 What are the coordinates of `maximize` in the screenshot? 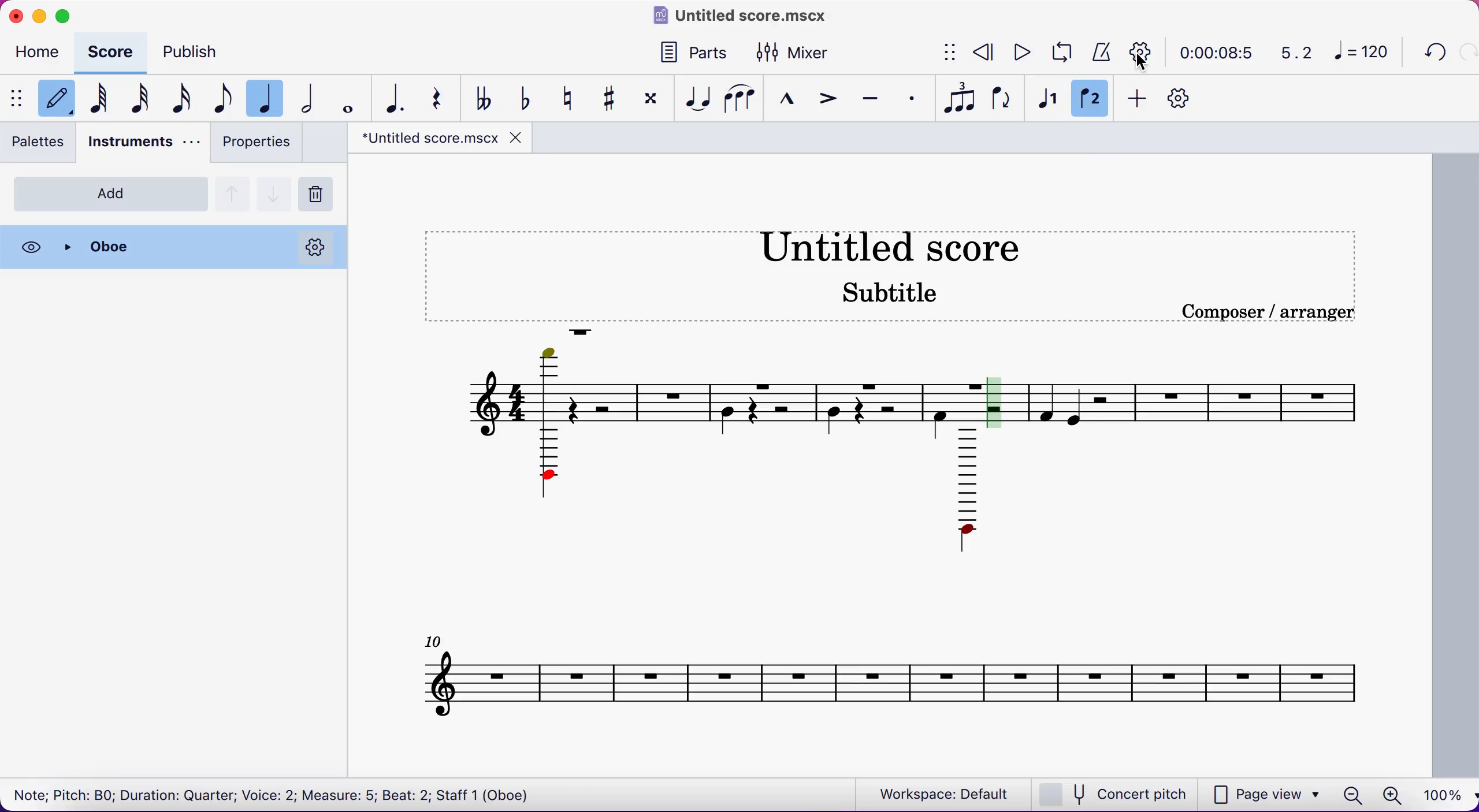 It's located at (68, 13).